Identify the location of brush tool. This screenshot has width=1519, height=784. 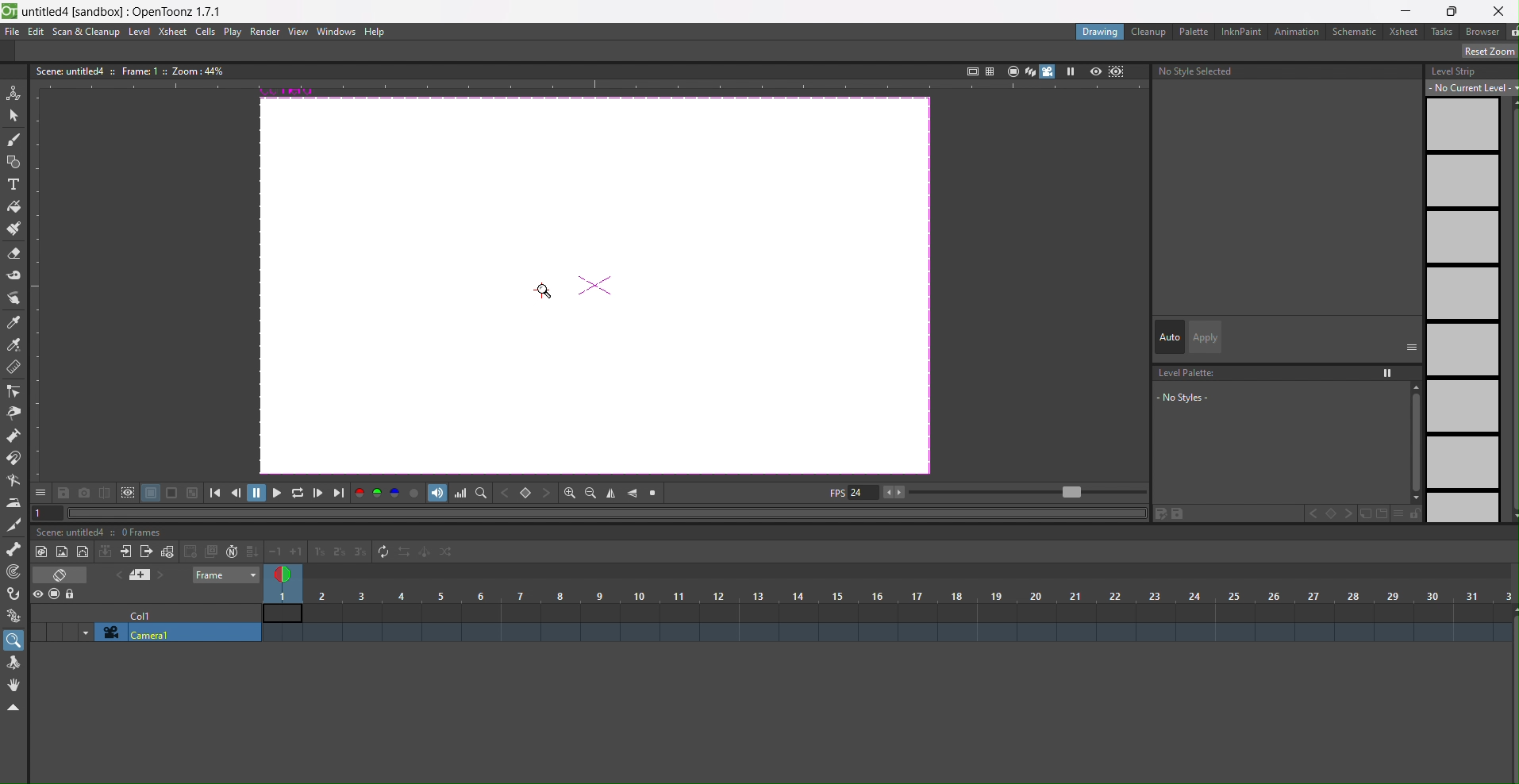
(15, 140).